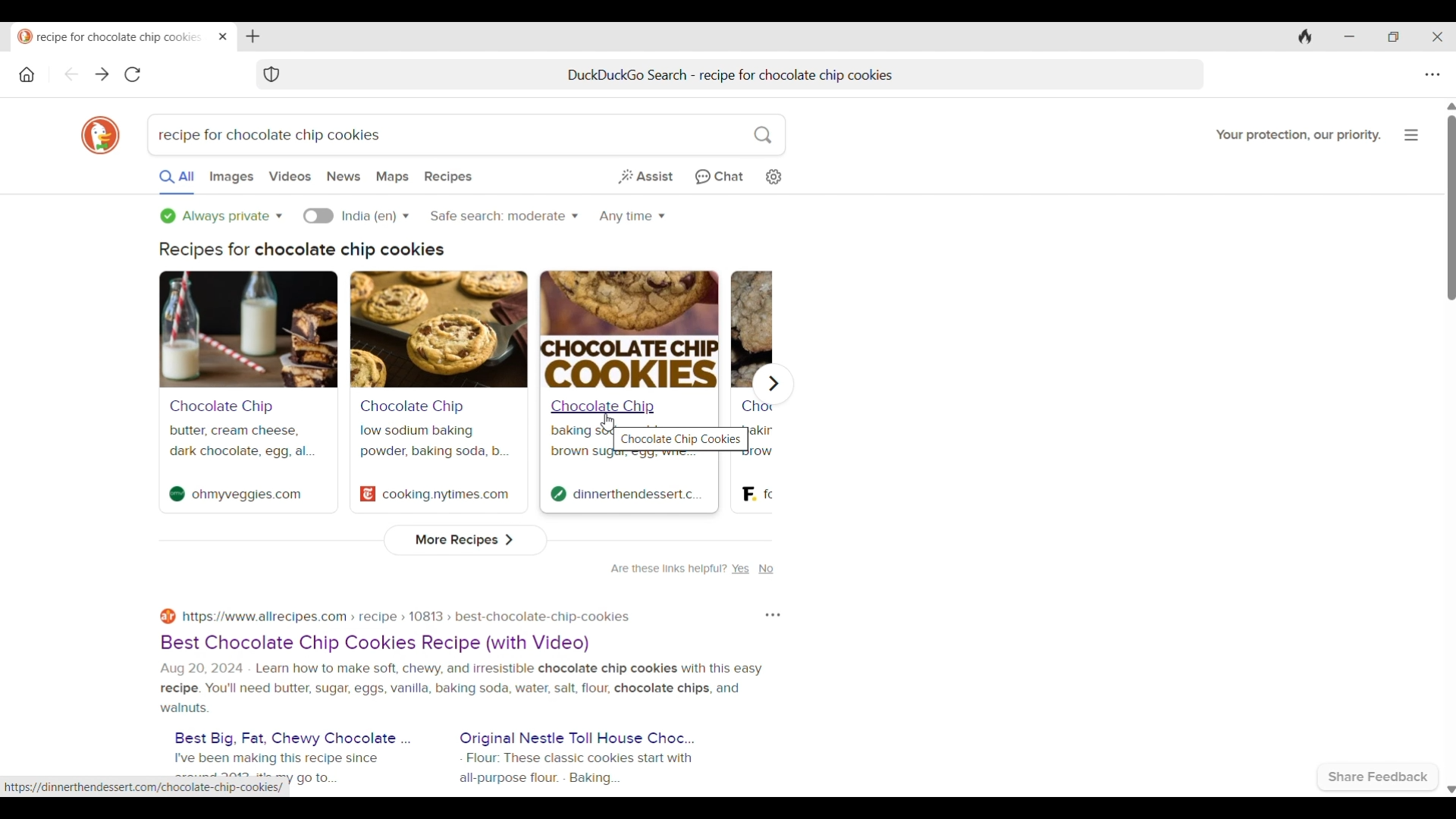 The image size is (1456, 819). What do you see at coordinates (1450, 105) in the screenshot?
I see `Quick slide to top` at bounding box center [1450, 105].